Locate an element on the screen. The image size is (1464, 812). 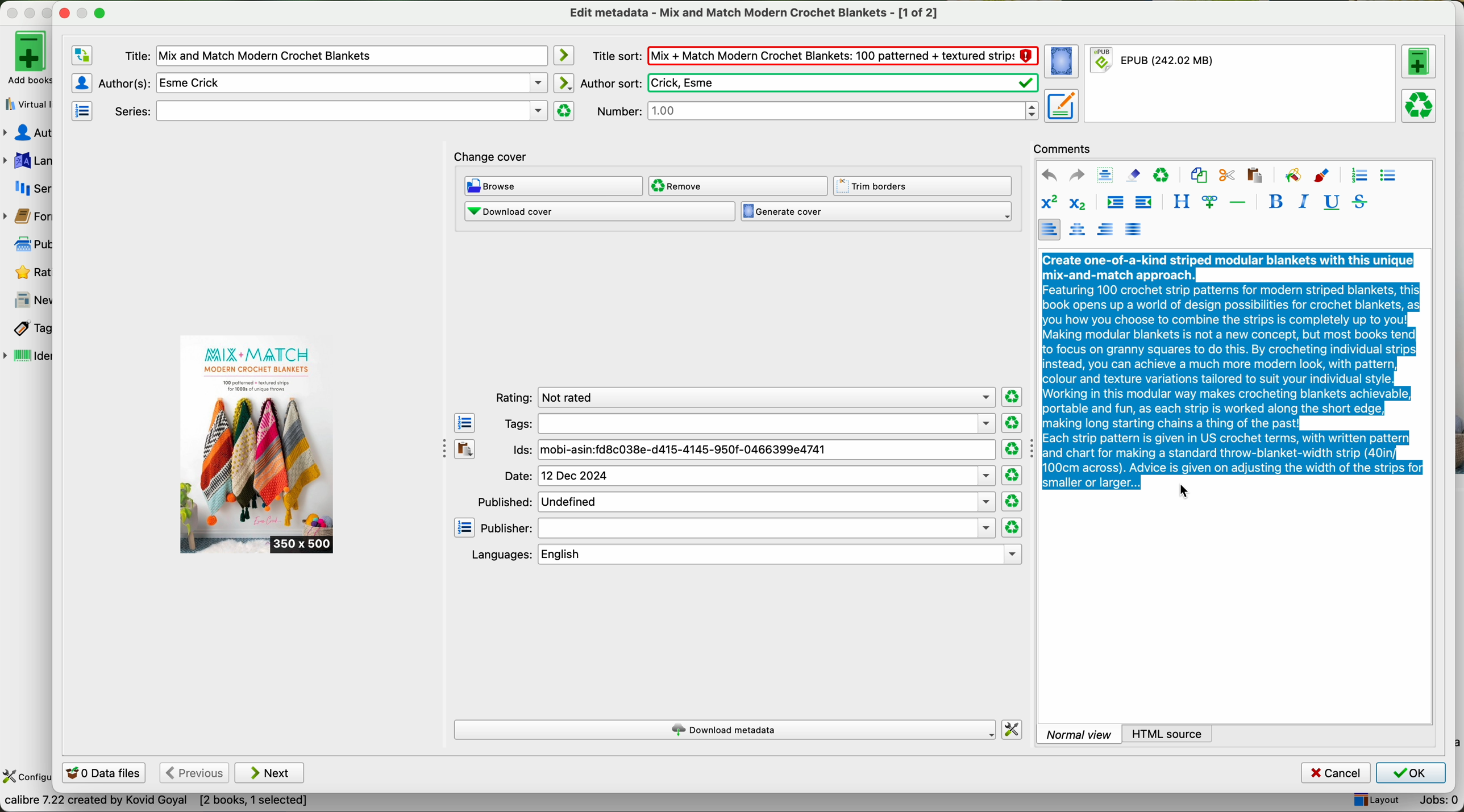
background color is located at coordinates (1292, 174).